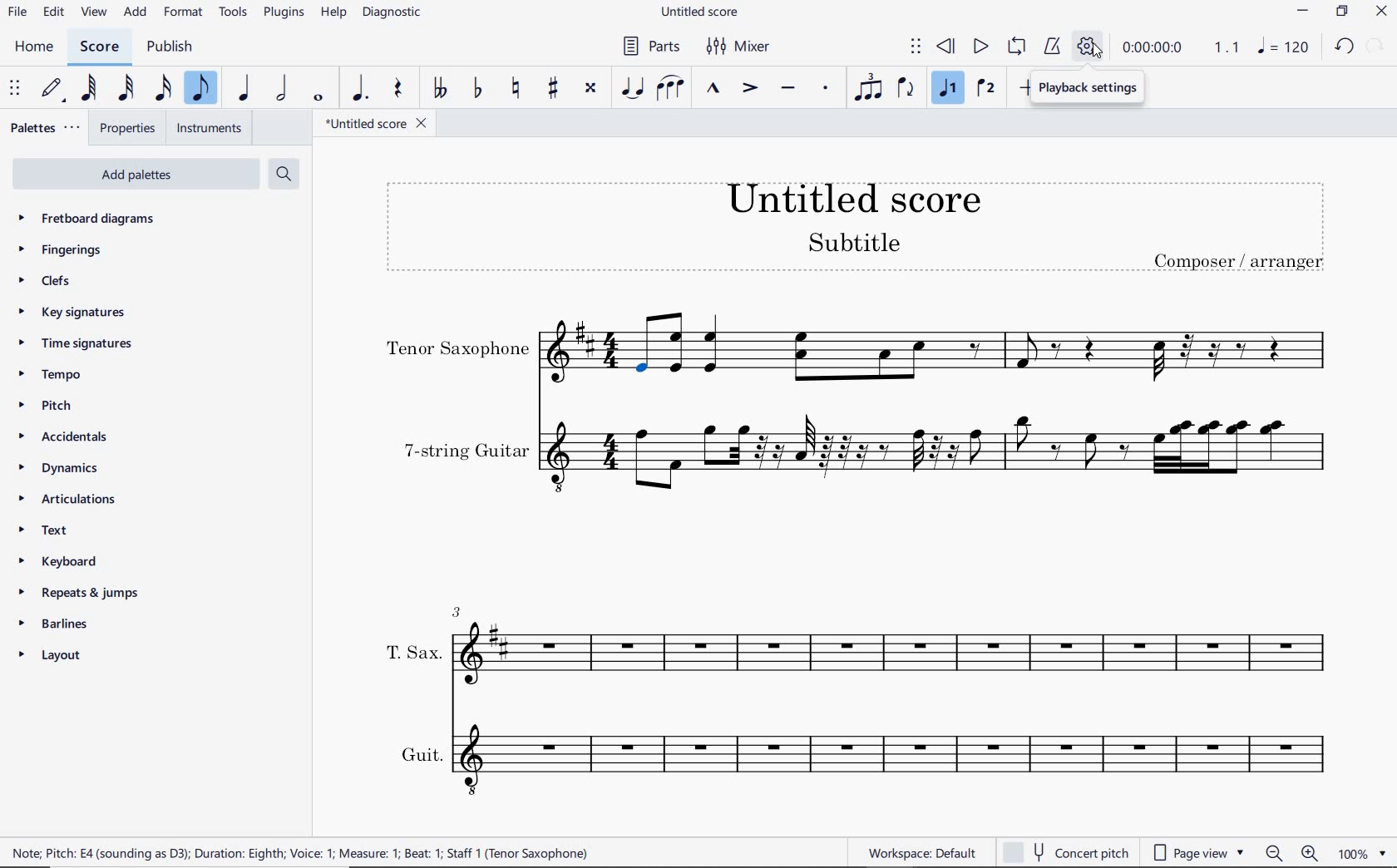 This screenshot has height=868, width=1397. Describe the element at coordinates (980, 47) in the screenshot. I see `PLAY` at that location.